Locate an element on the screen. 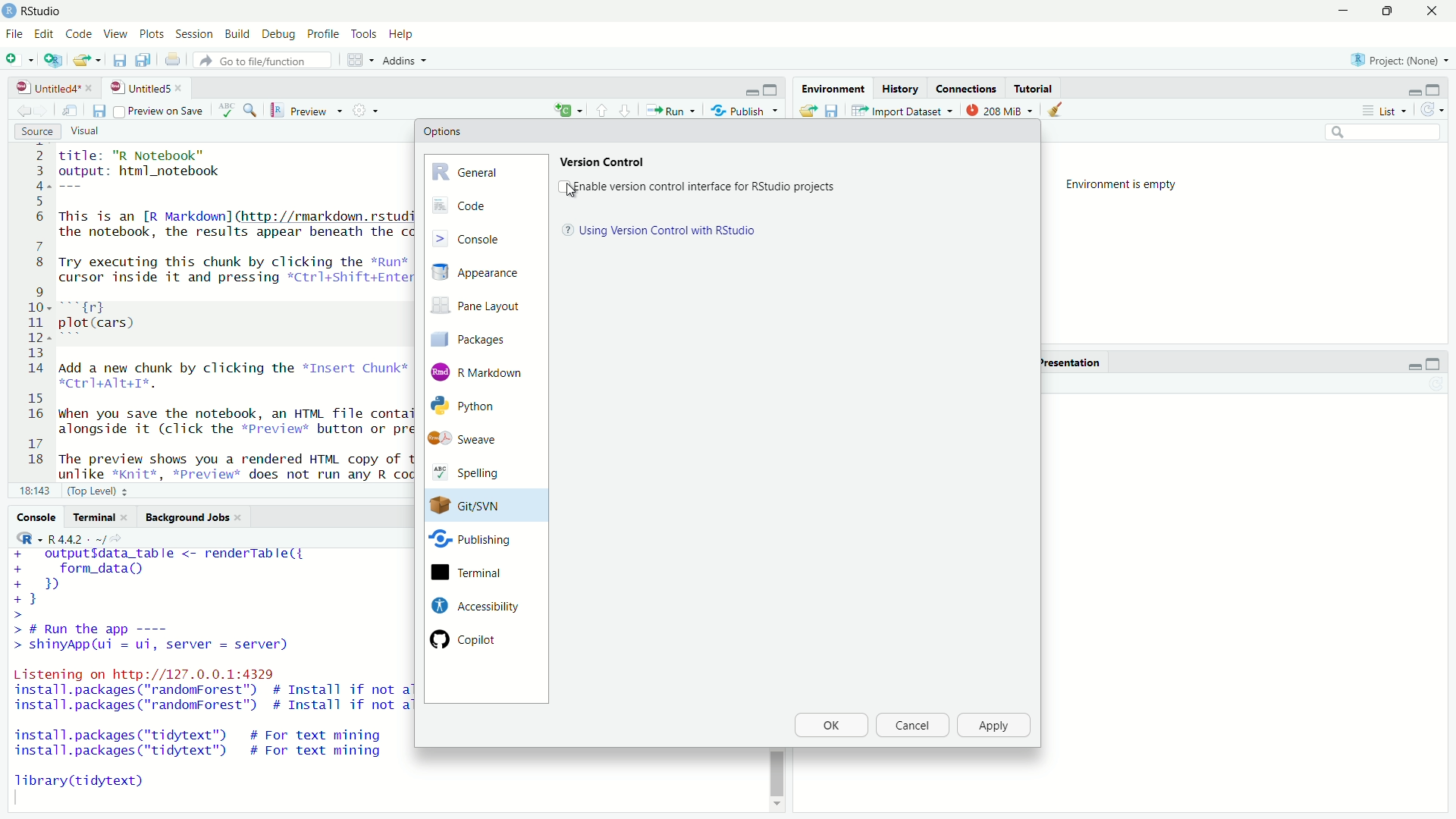  Code is located at coordinates (77, 35).